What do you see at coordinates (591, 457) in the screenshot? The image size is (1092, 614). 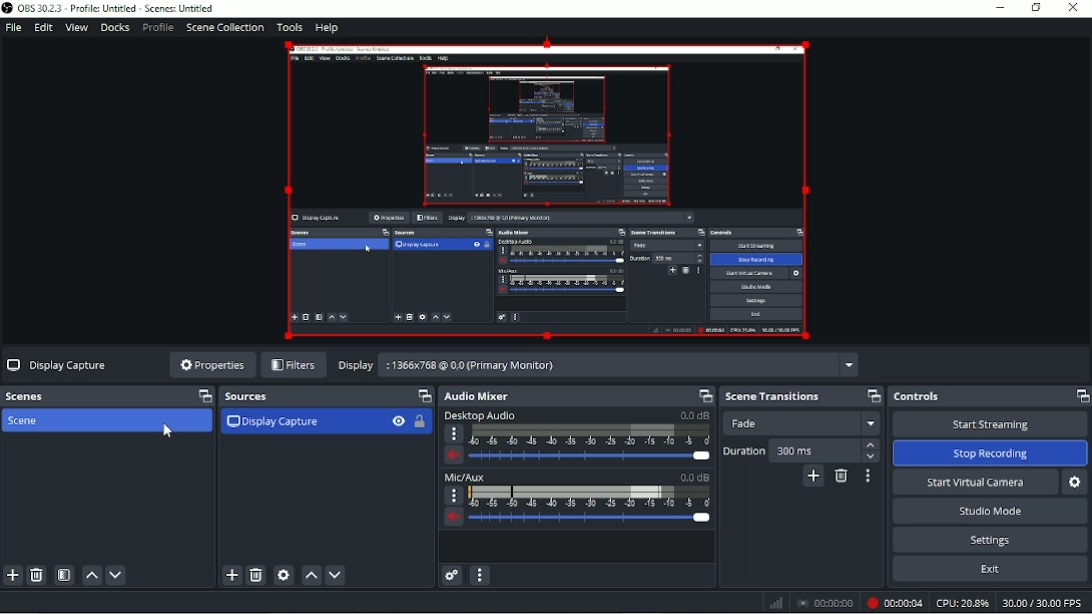 I see `Slider` at bounding box center [591, 457].